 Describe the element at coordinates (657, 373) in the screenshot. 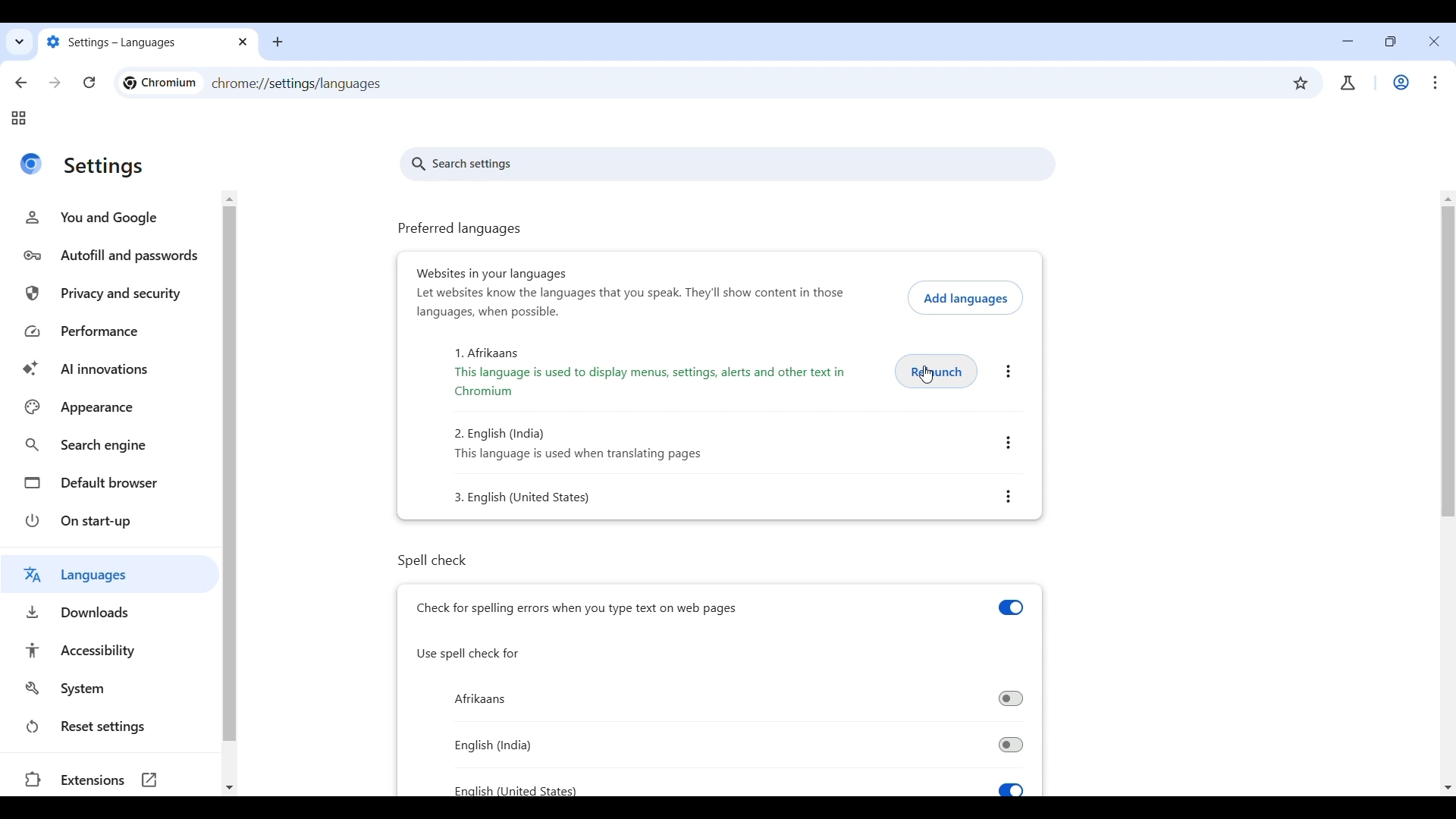

I see `Afrikaans changed as priority 1 language by browser` at that location.